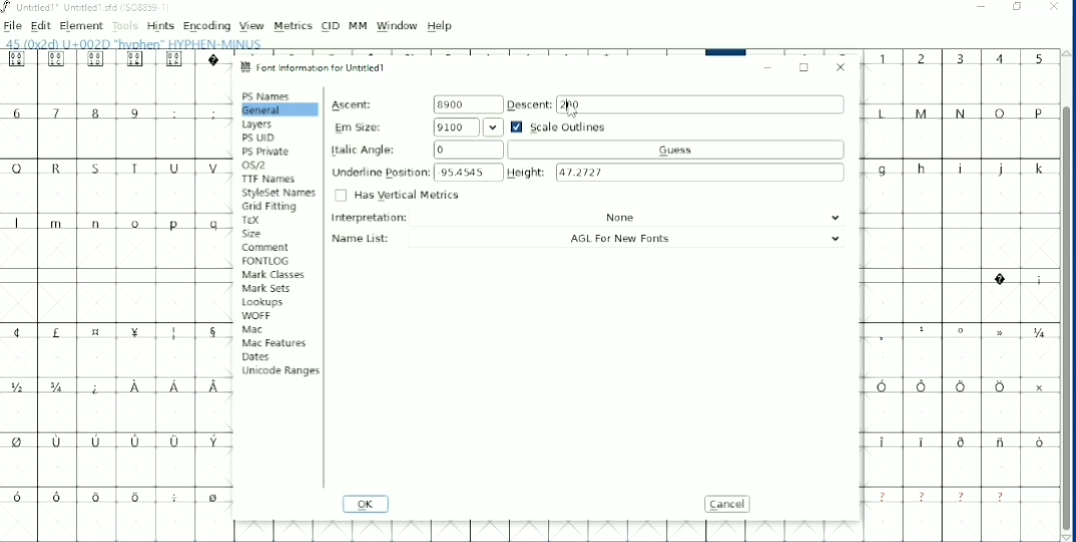 Image resolution: width=1076 pixels, height=542 pixels. Describe the element at coordinates (1019, 7) in the screenshot. I see `Restore down` at that location.